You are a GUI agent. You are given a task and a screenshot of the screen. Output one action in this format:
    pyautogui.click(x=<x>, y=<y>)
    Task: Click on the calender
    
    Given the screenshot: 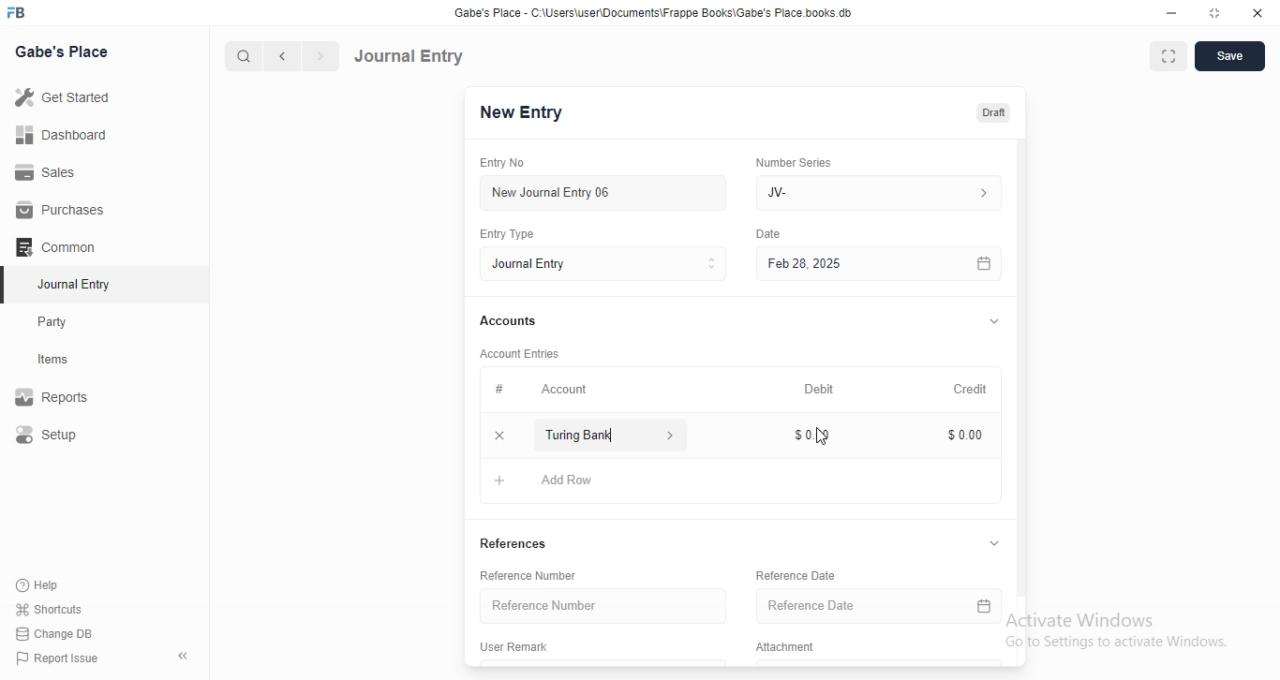 What is the action you would take?
    pyautogui.click(x=984, y=263)
    